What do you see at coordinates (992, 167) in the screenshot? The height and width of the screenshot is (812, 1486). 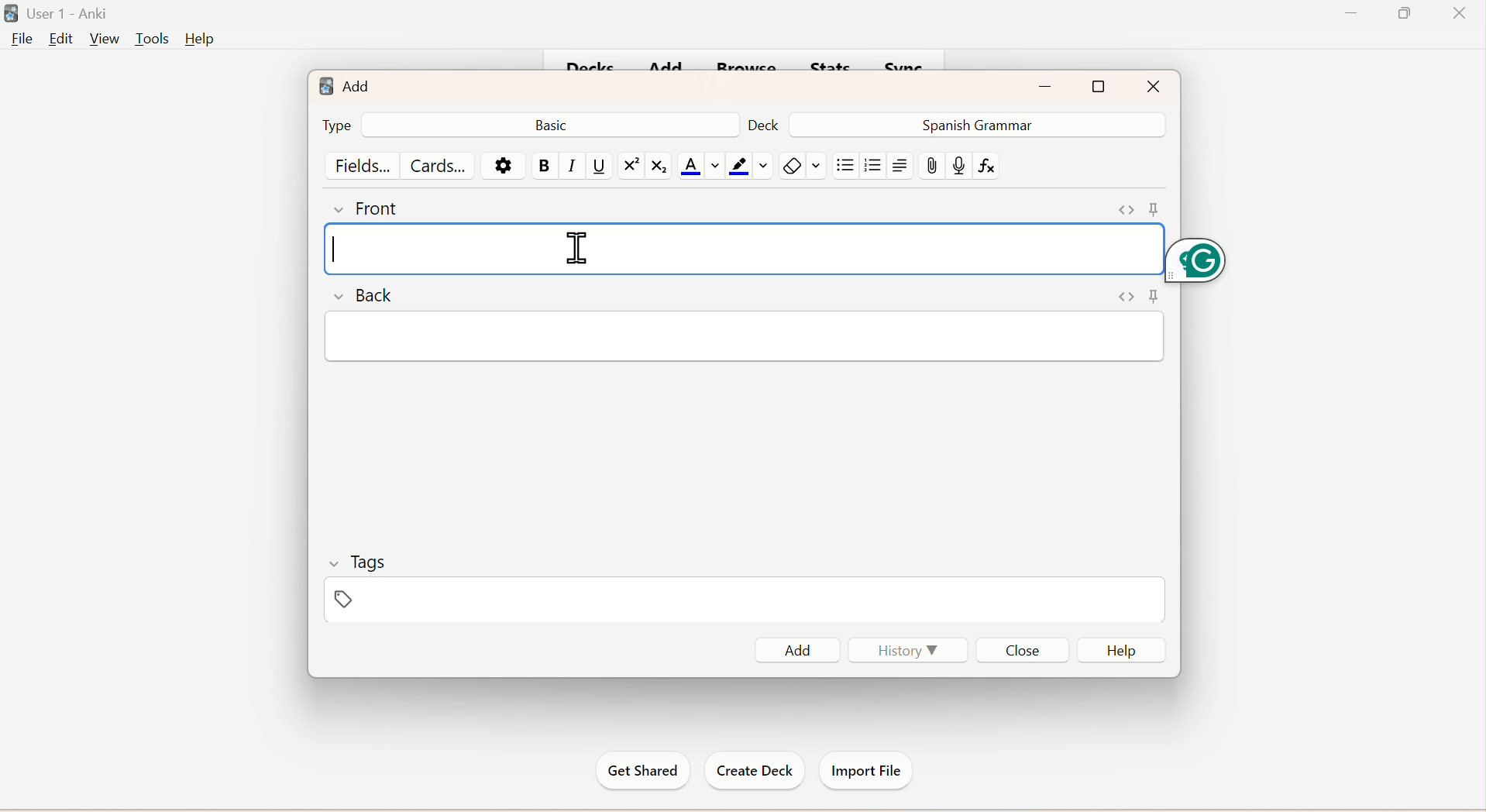 I see `fx` at bounding box center [992, 167].